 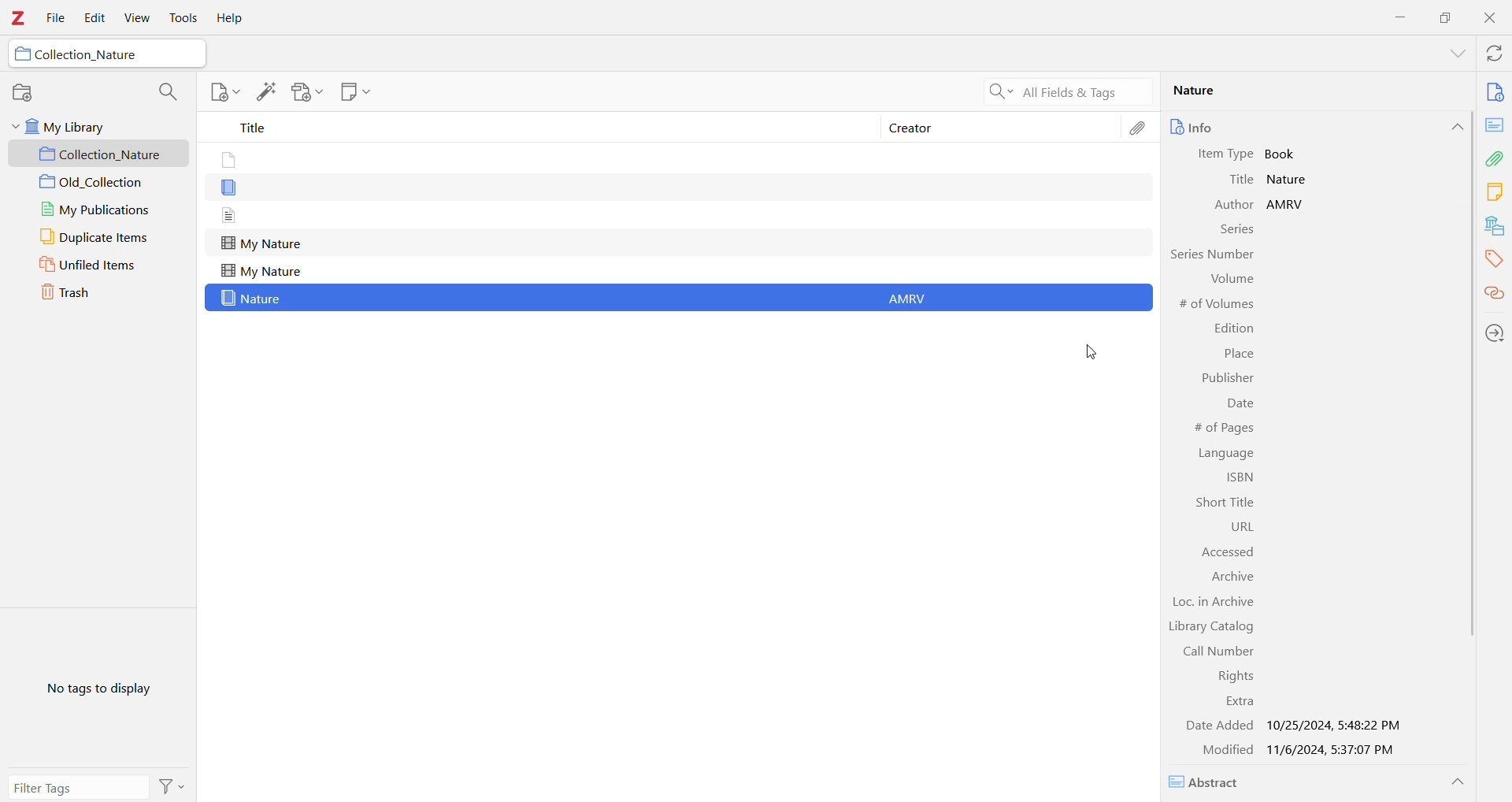 I want to click on Info, so click(x=1223, y=127).